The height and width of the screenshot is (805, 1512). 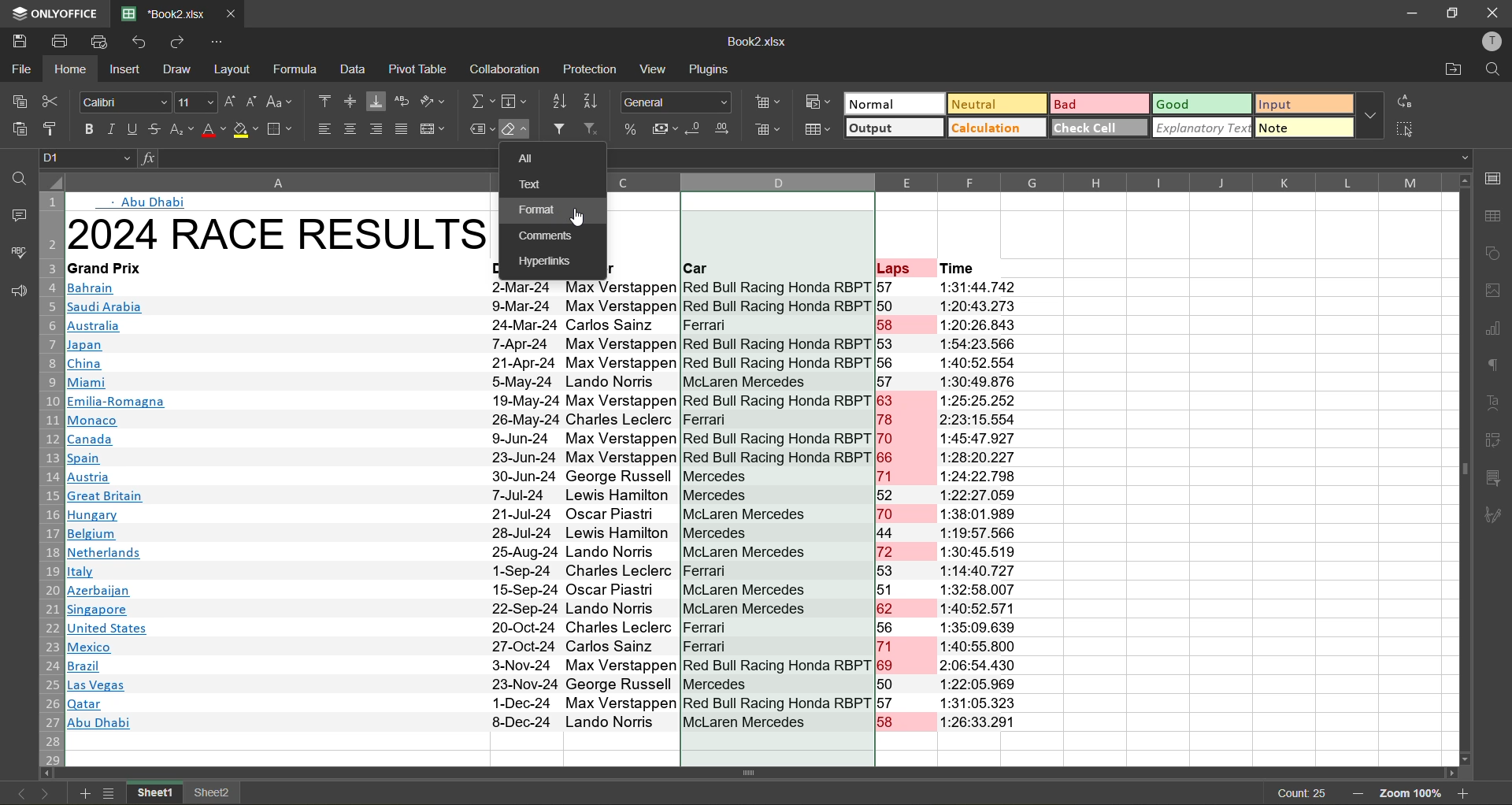 I want to click on text, so click(x=1497, y=402).